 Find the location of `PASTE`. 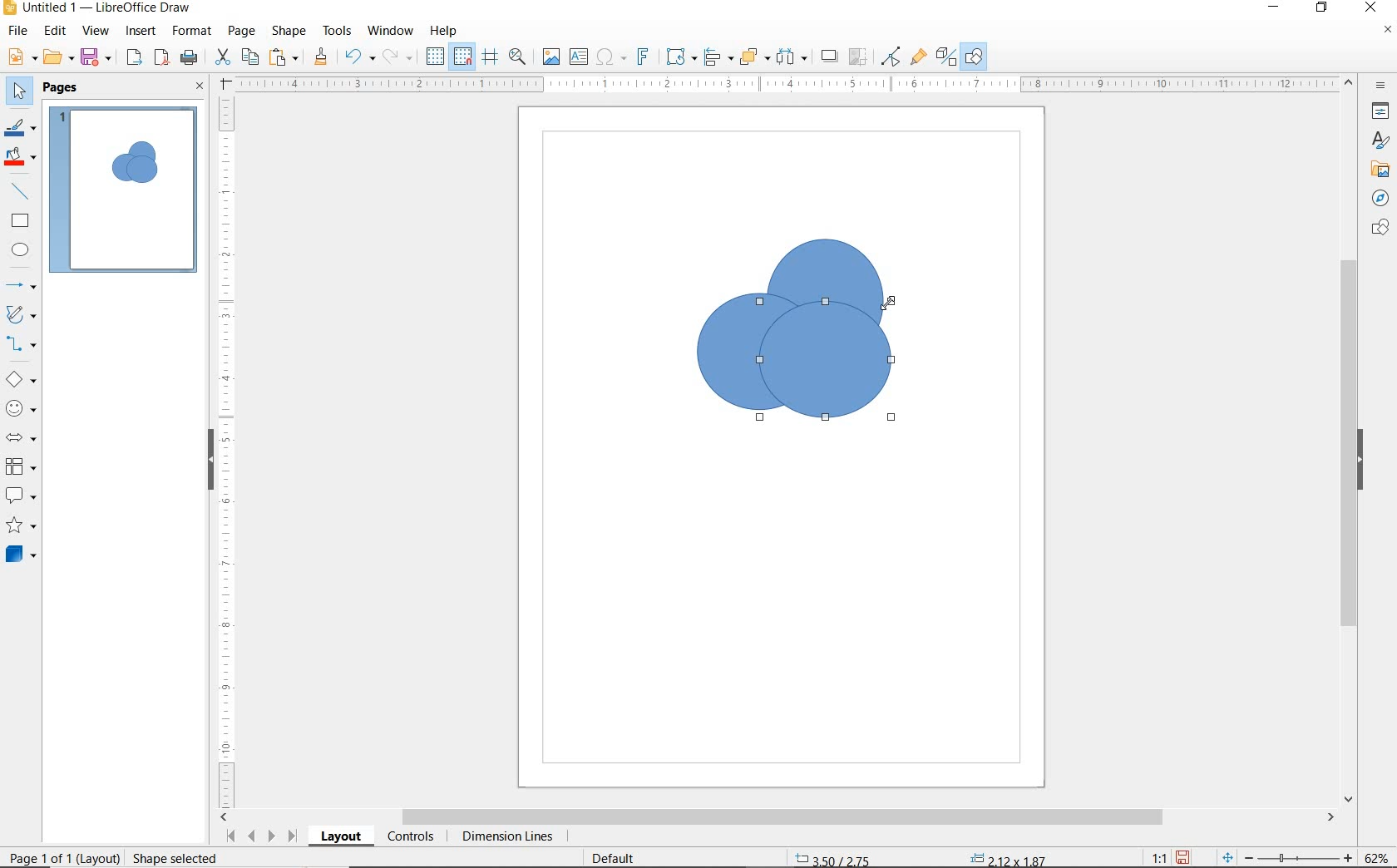

PASTE is located at coordinates (285, 57).